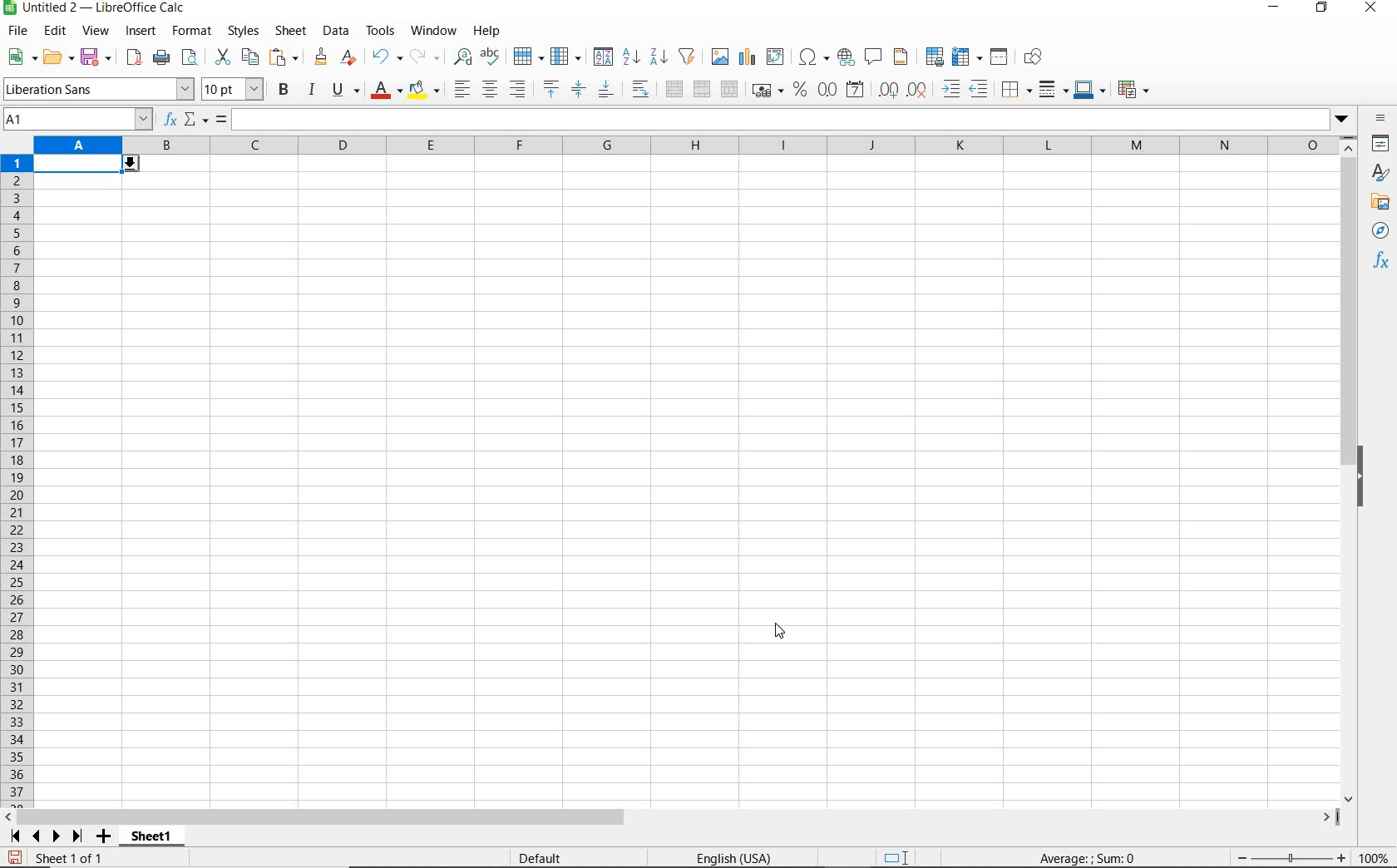 This screenshot has width=1397, height=868. What do you see at coordinates (140, 32) in the screenshot?
I see `insert` at bounding box center [140, 32].